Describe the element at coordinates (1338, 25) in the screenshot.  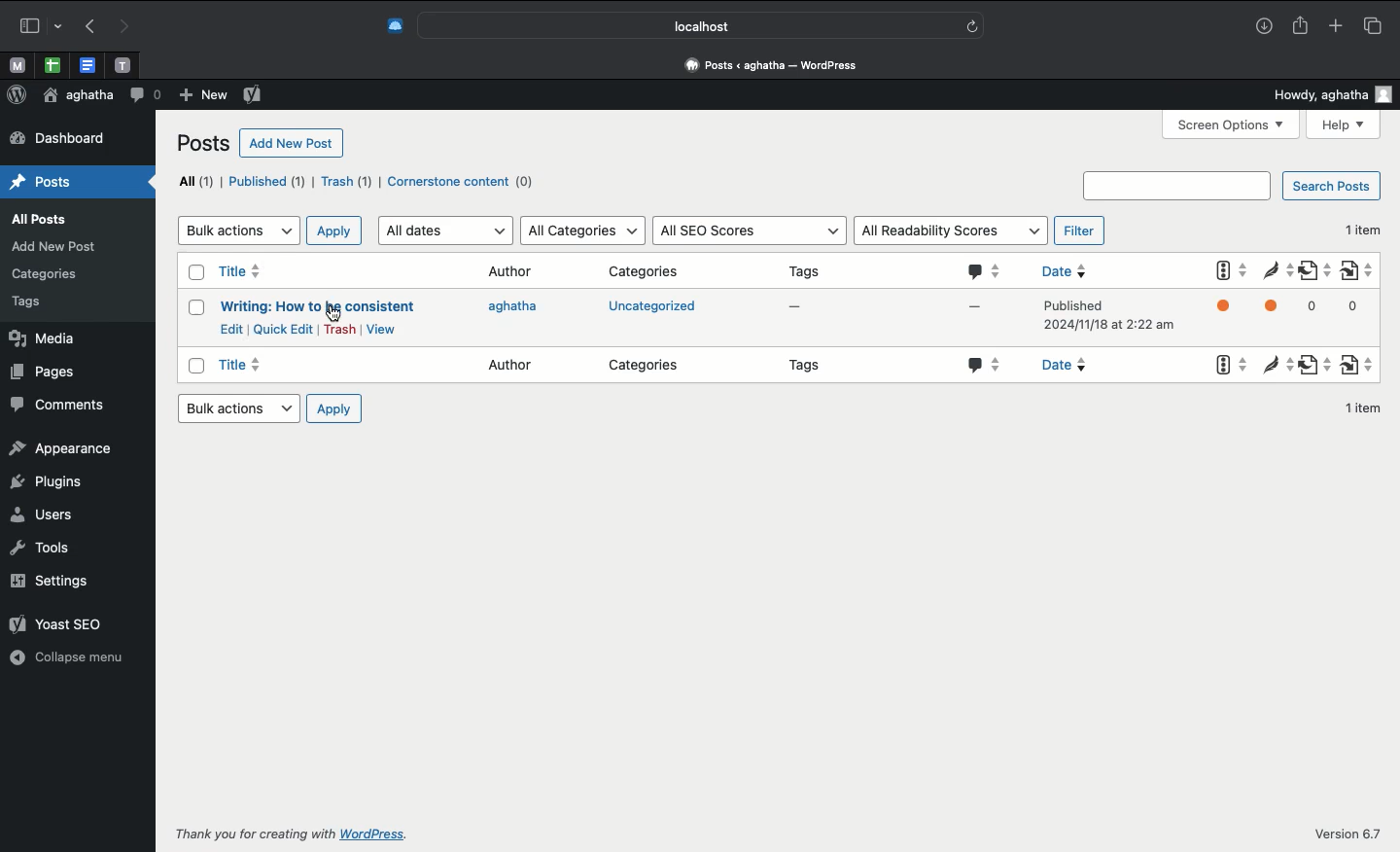
I see `Add new tab` at that location.